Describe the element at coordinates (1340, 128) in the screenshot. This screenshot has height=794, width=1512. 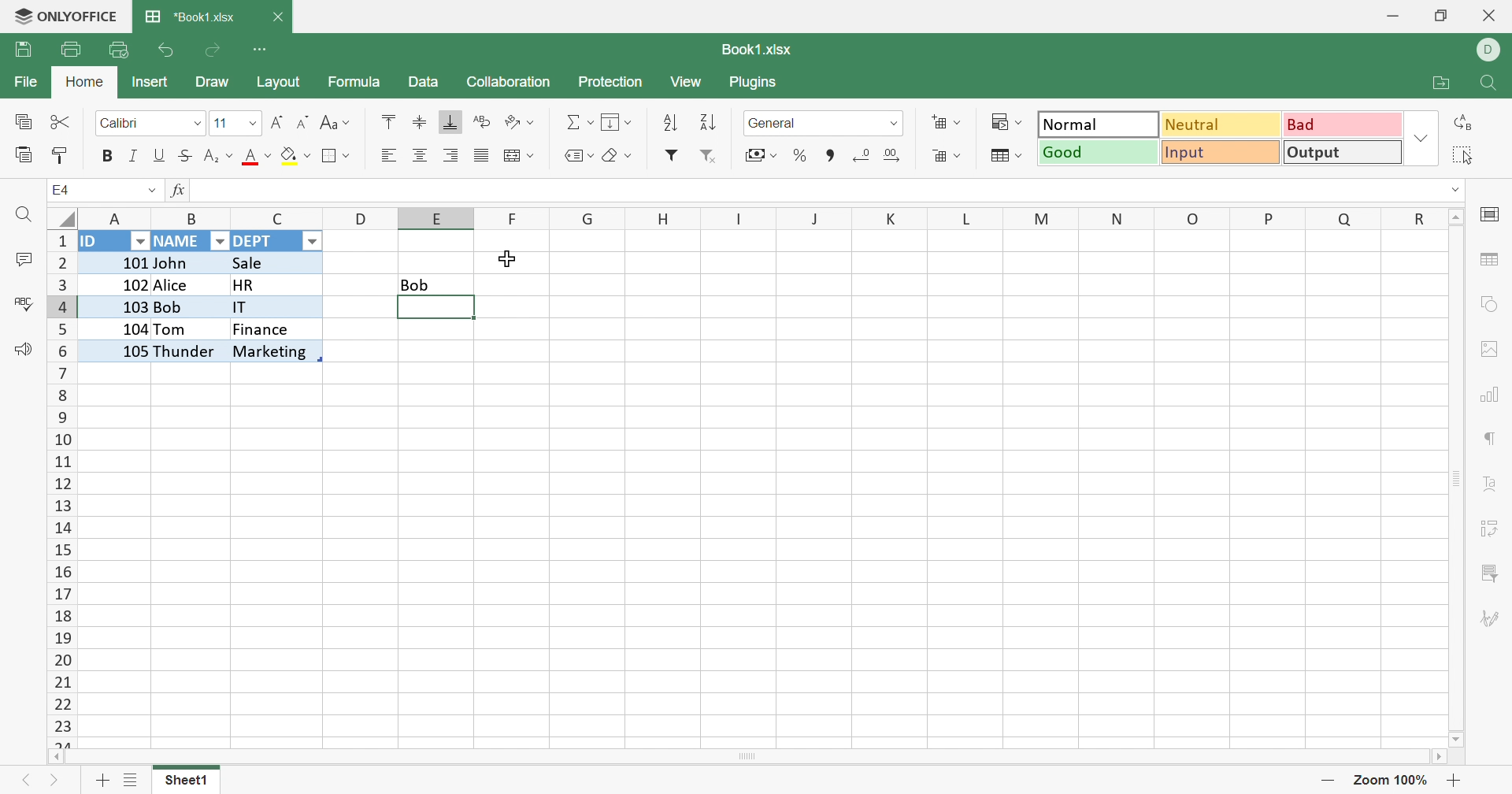
I see `Bad` at that location.